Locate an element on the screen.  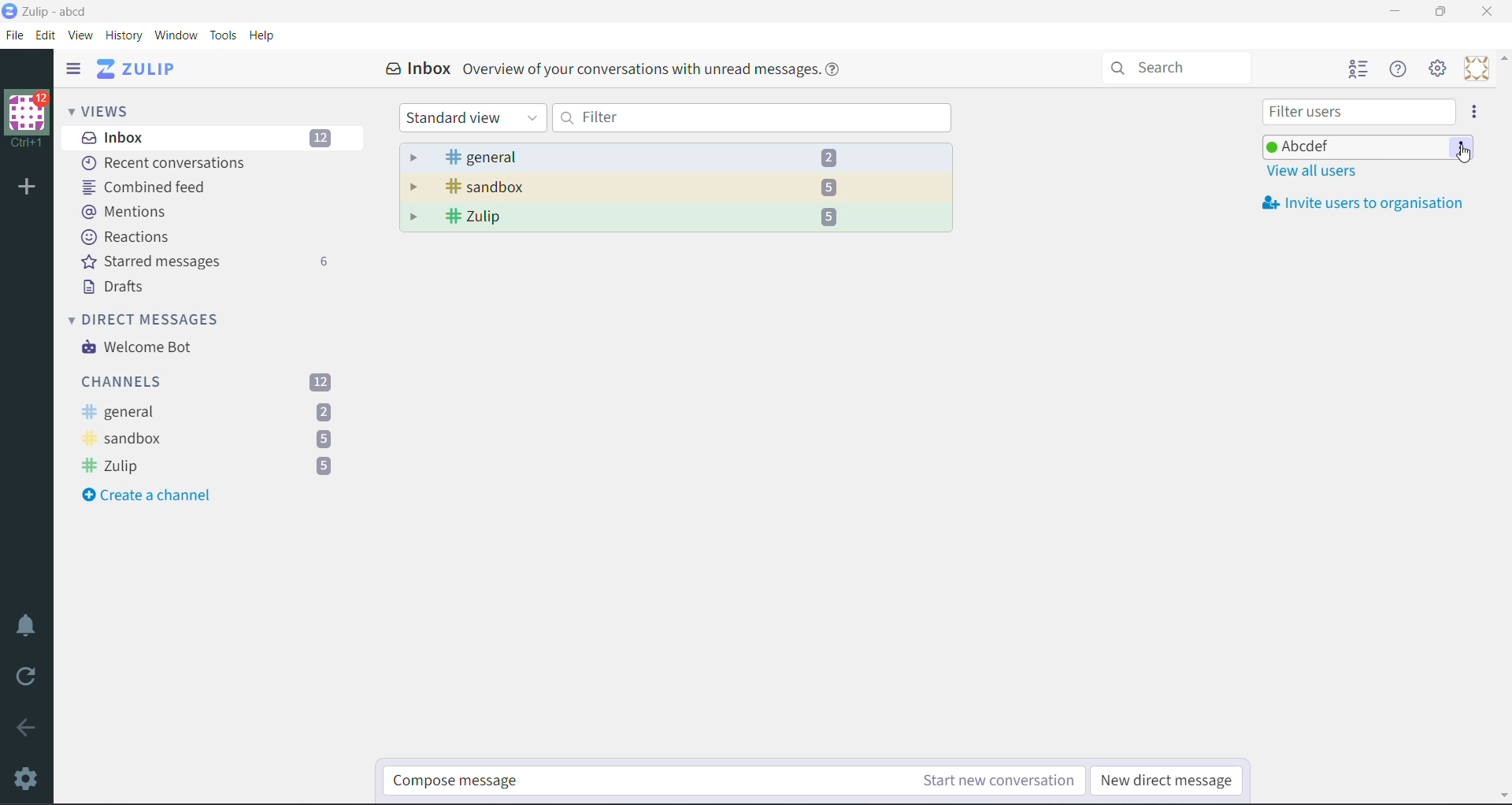
Personal Menu is located at coordinates (1475, 69).